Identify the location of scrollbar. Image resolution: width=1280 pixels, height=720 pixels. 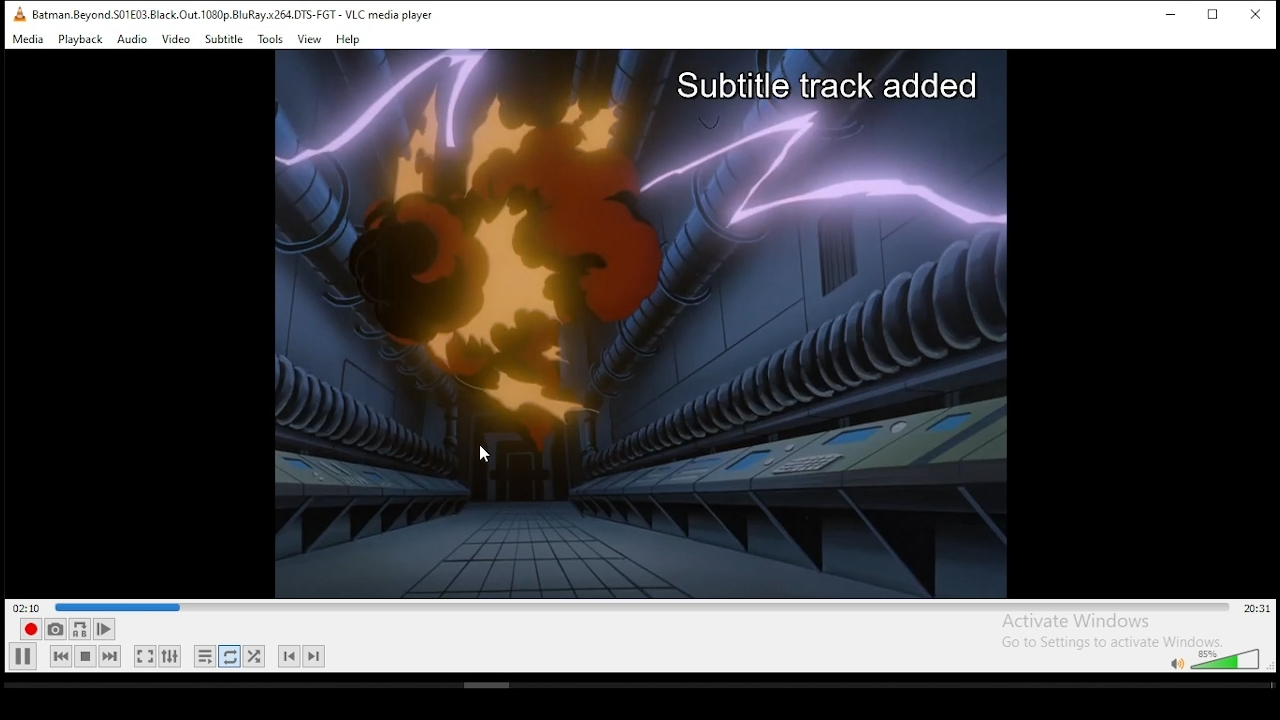
(637, 687).